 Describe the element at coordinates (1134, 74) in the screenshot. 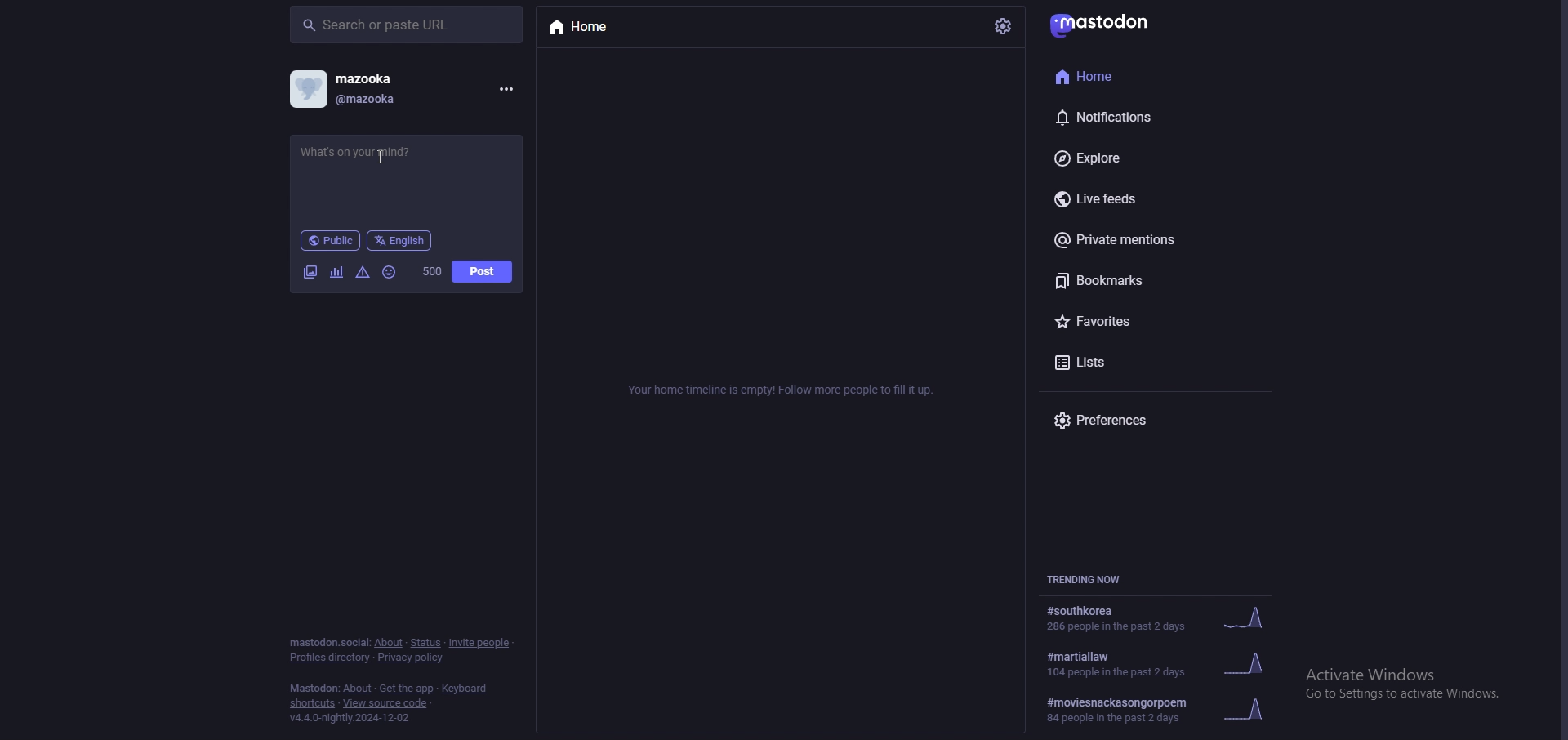

I see `home` at that location.